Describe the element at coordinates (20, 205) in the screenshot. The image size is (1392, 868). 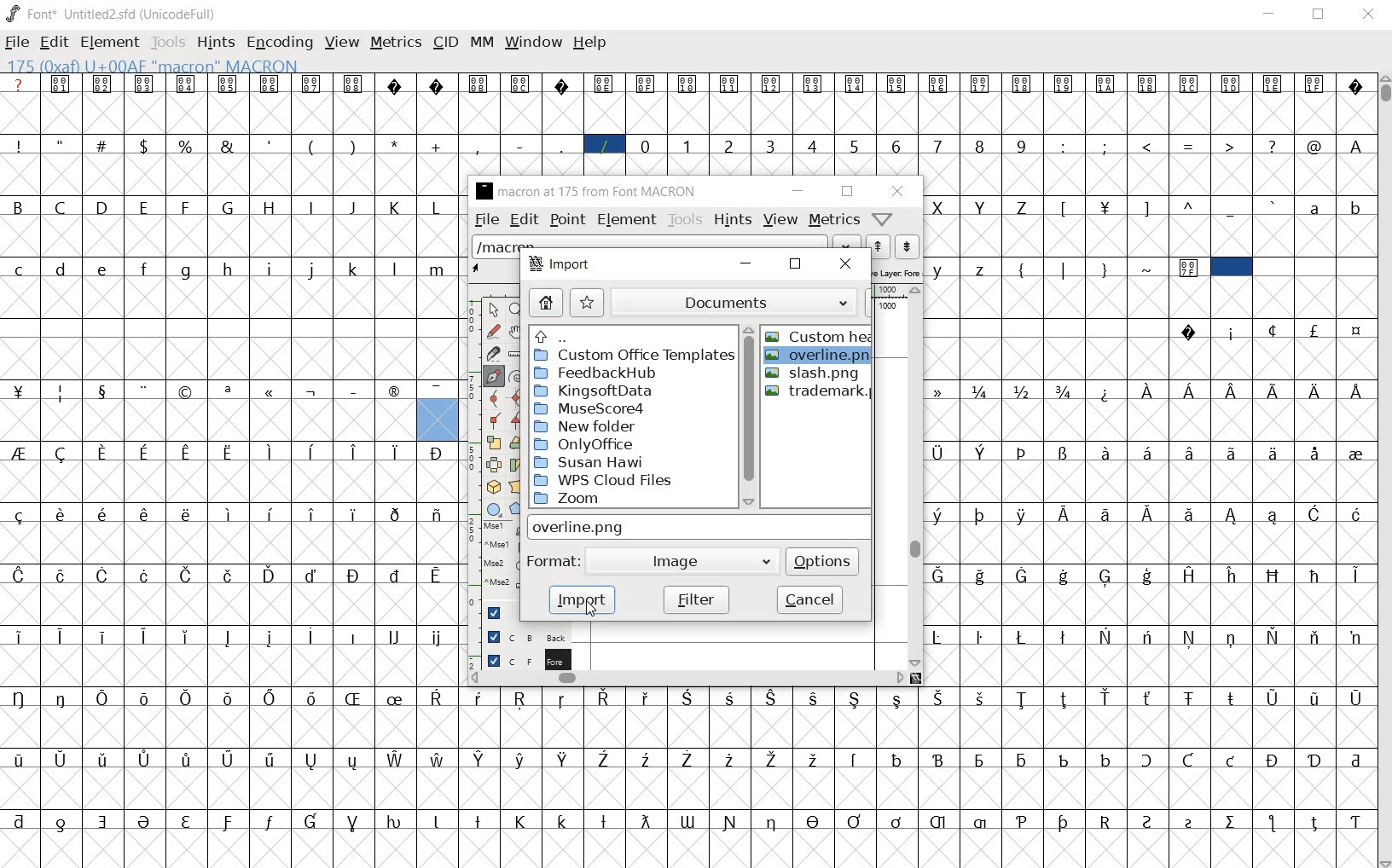
I see `B` at that location.